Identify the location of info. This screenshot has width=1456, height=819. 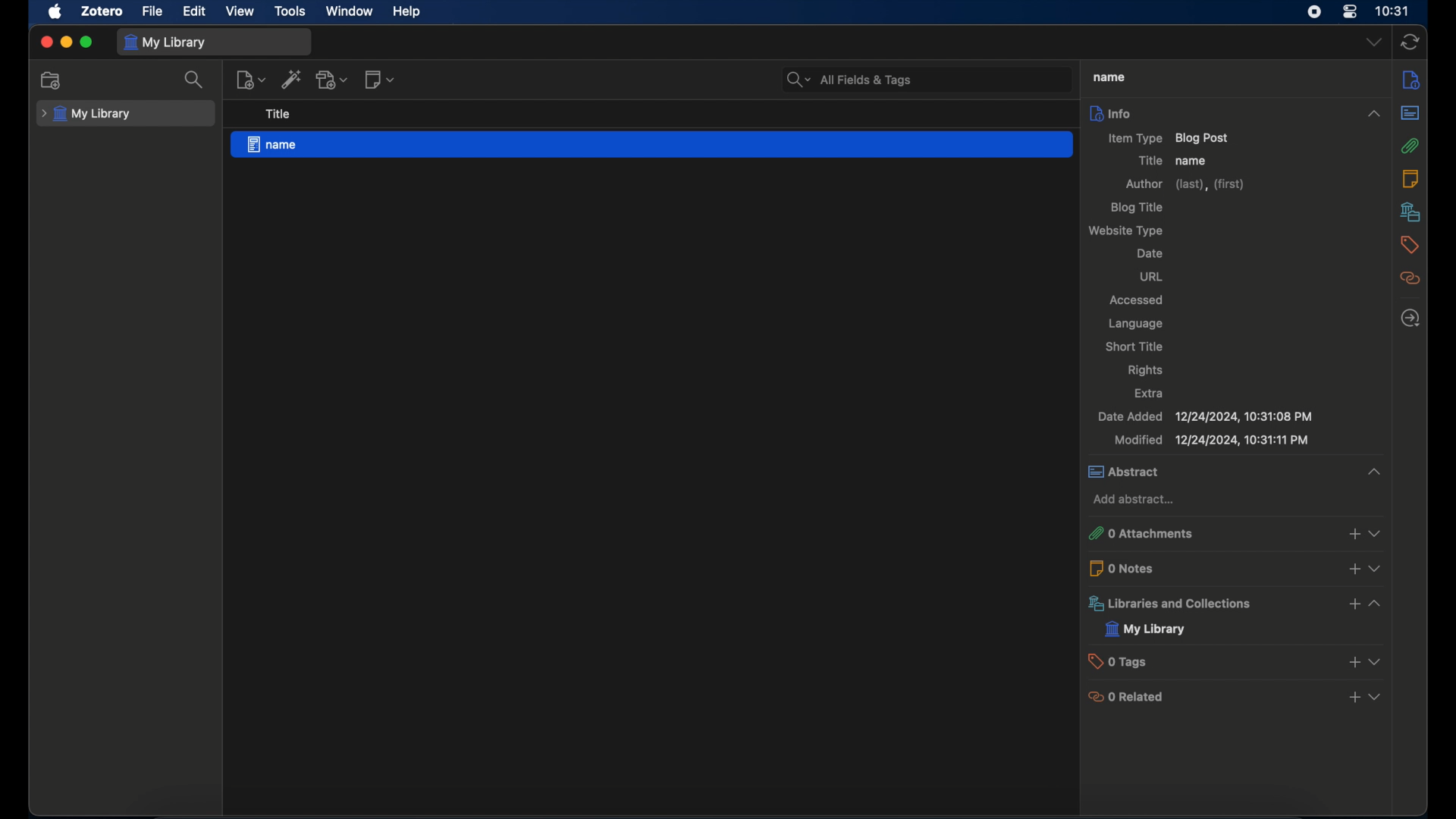
(1412, 79).